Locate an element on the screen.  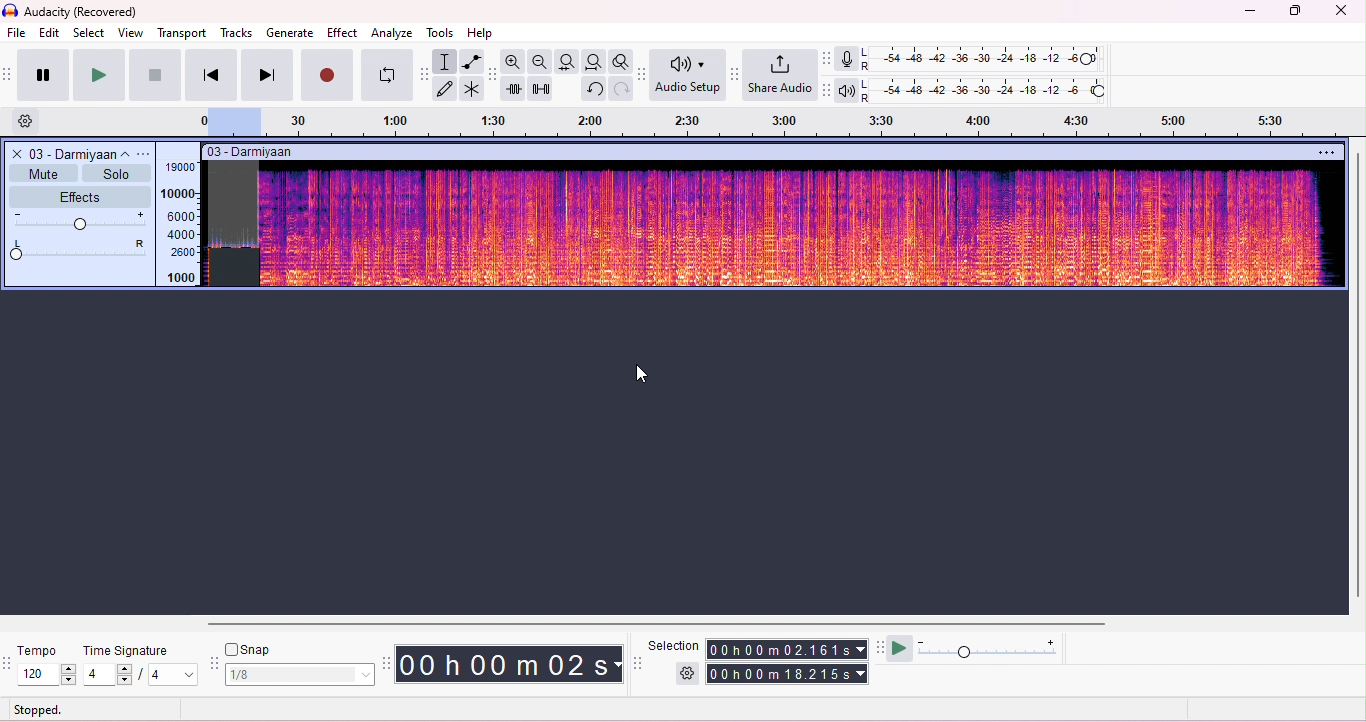
view is located at coordinates (131, 34).